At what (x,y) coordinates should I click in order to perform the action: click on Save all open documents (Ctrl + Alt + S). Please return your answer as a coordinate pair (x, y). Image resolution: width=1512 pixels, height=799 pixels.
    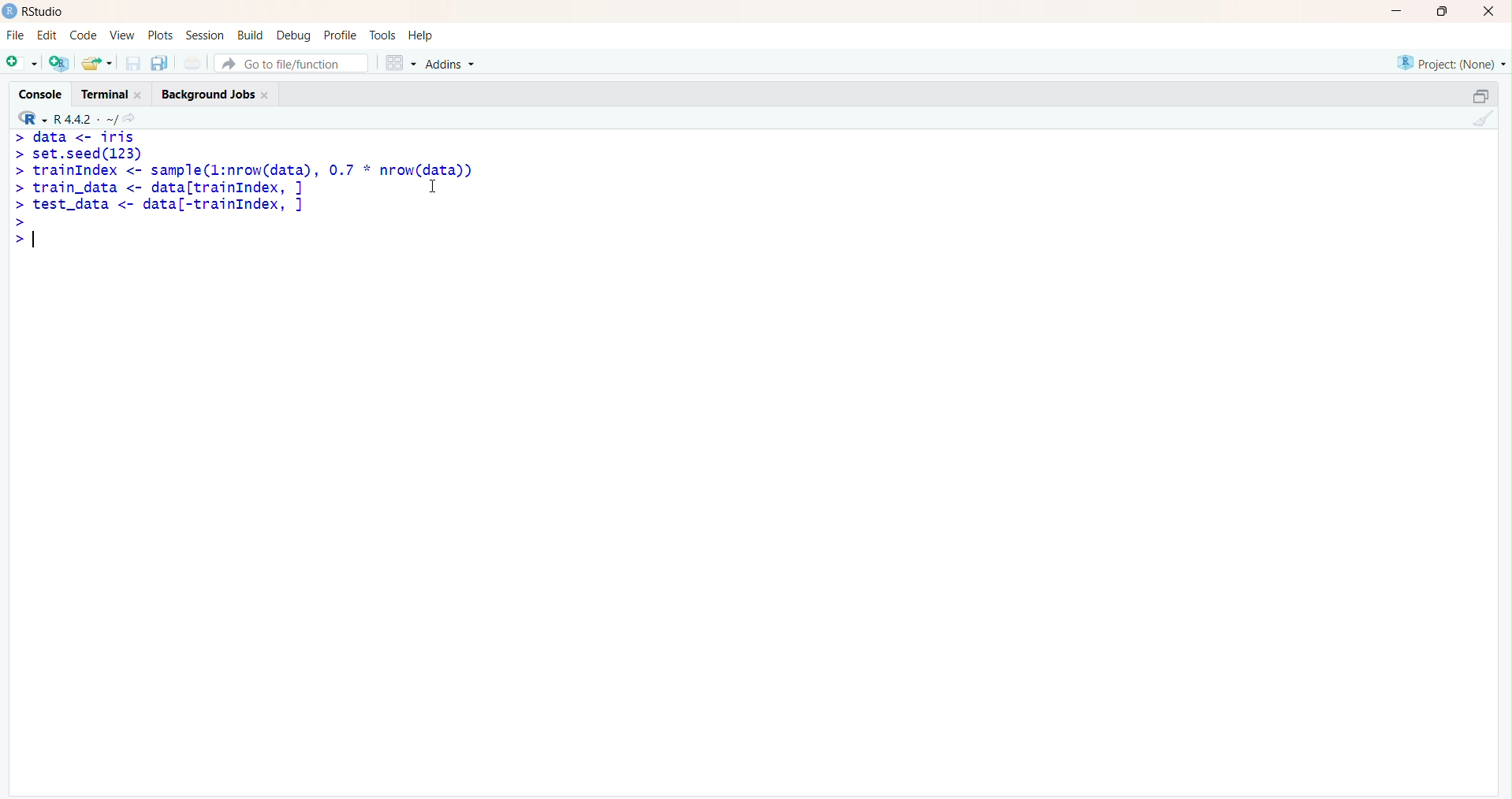
    Looking at the image, I should click on (158, 61).